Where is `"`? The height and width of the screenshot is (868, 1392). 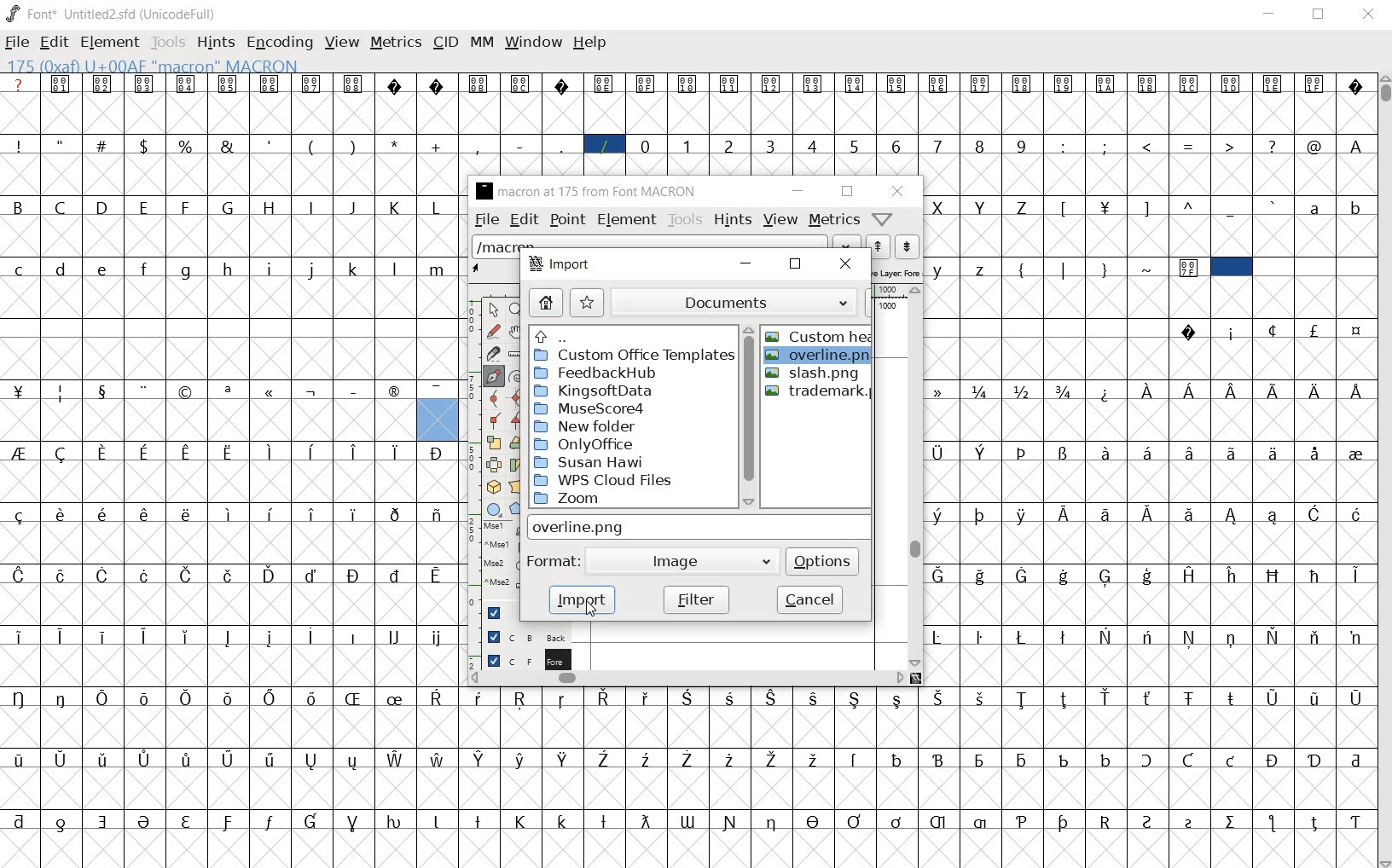
" is located at coordinates (62, 146).